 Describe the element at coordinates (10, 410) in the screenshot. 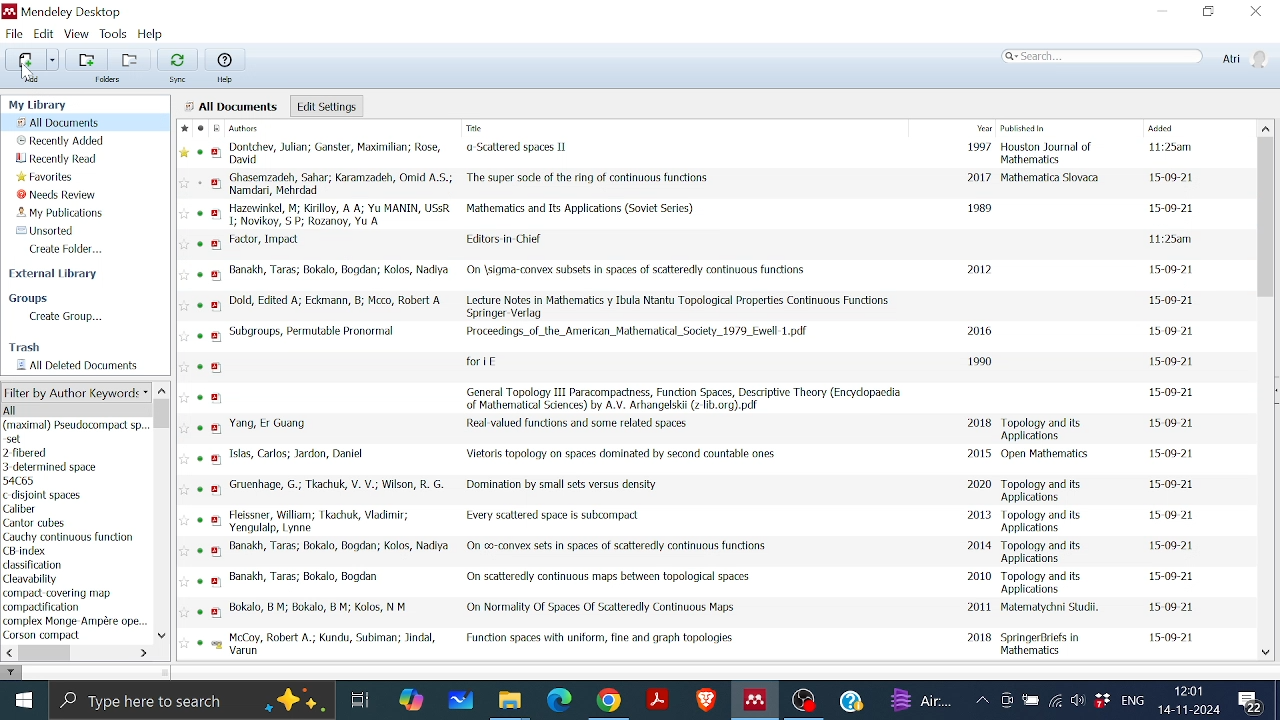

I see `all author keywords` at that location.